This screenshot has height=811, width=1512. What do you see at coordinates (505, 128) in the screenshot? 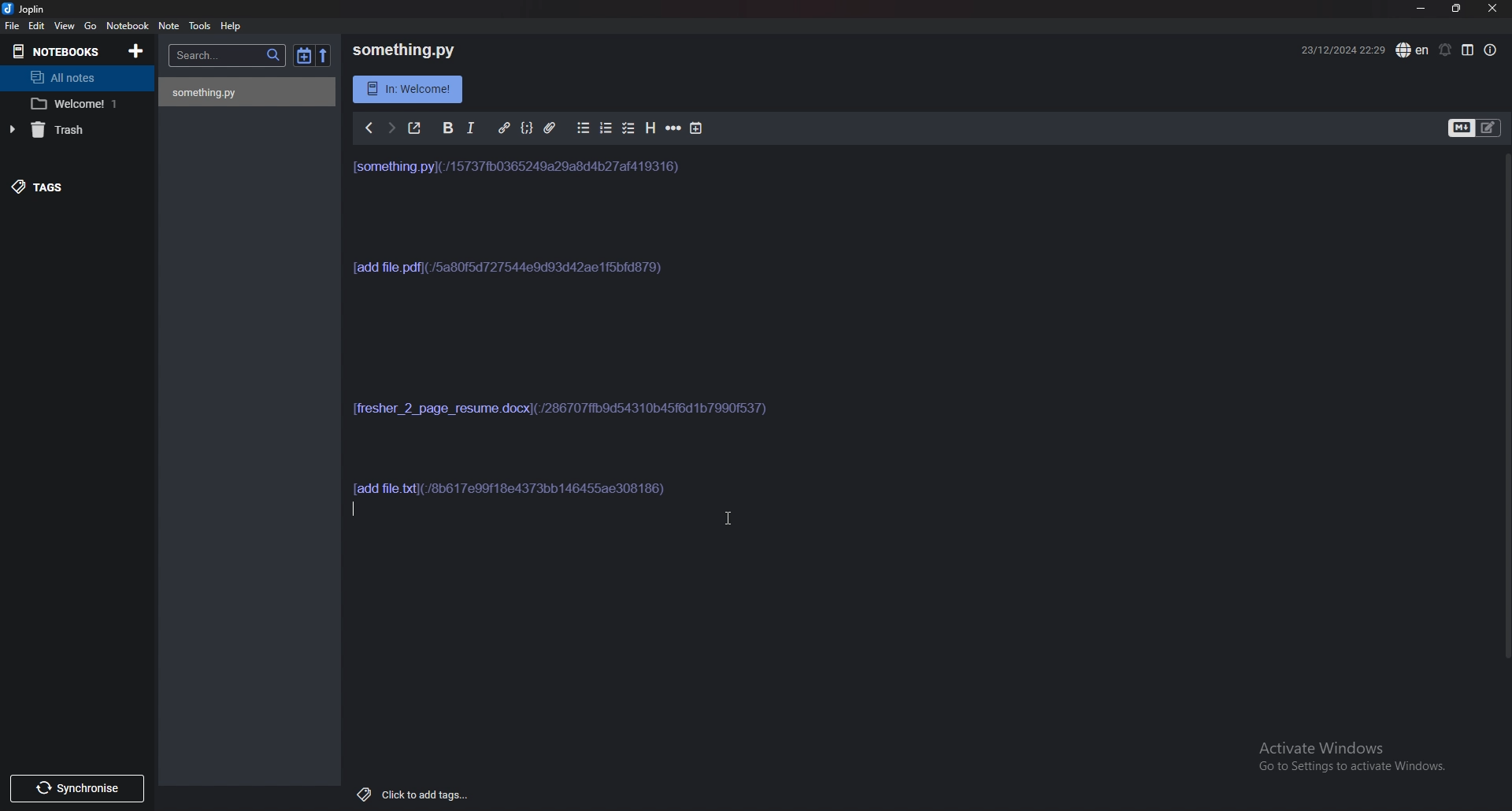
I see `Hyperlink` at bounding box center [505, 128].